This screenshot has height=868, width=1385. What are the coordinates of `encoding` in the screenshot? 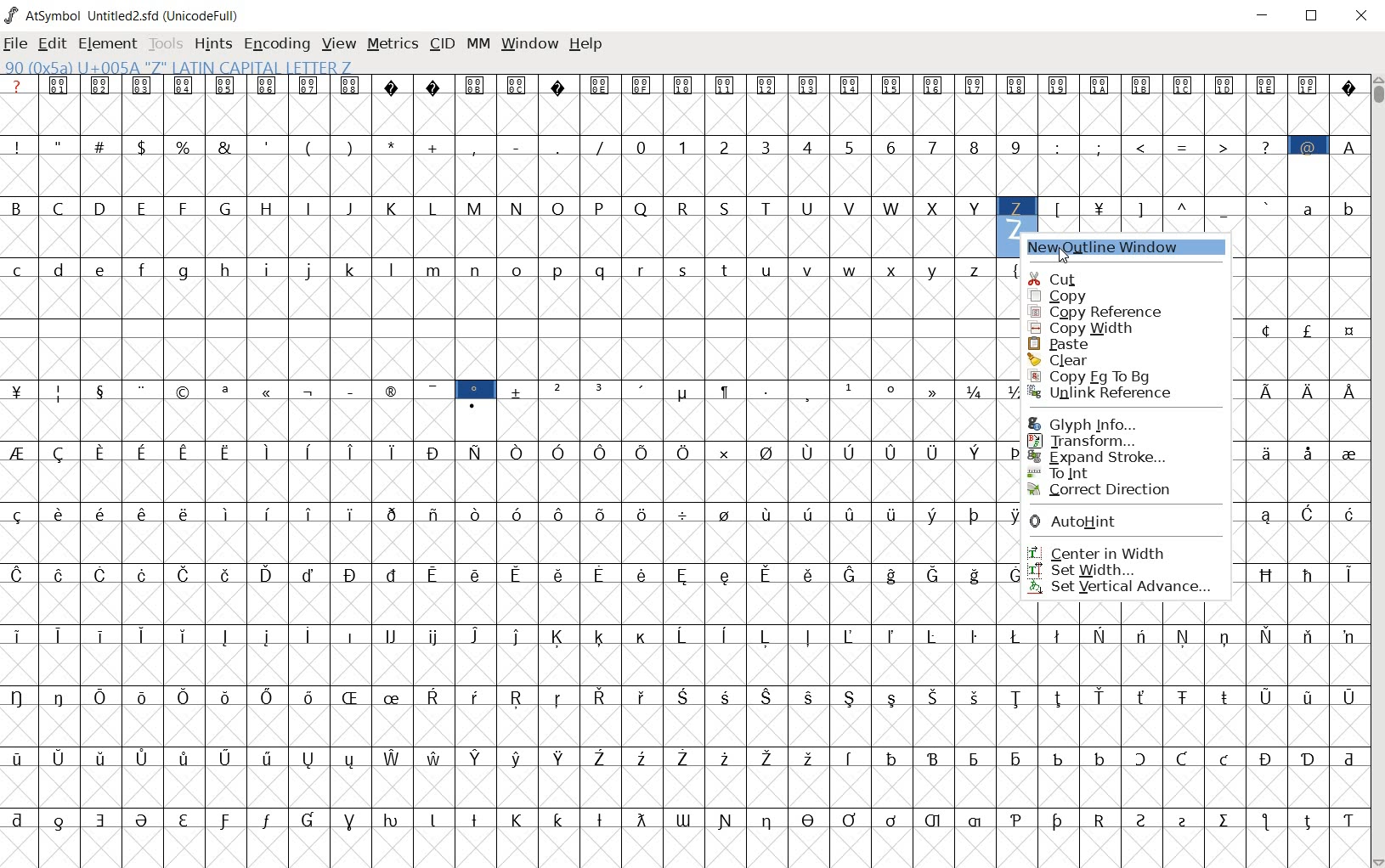 It's located at (275, 44).